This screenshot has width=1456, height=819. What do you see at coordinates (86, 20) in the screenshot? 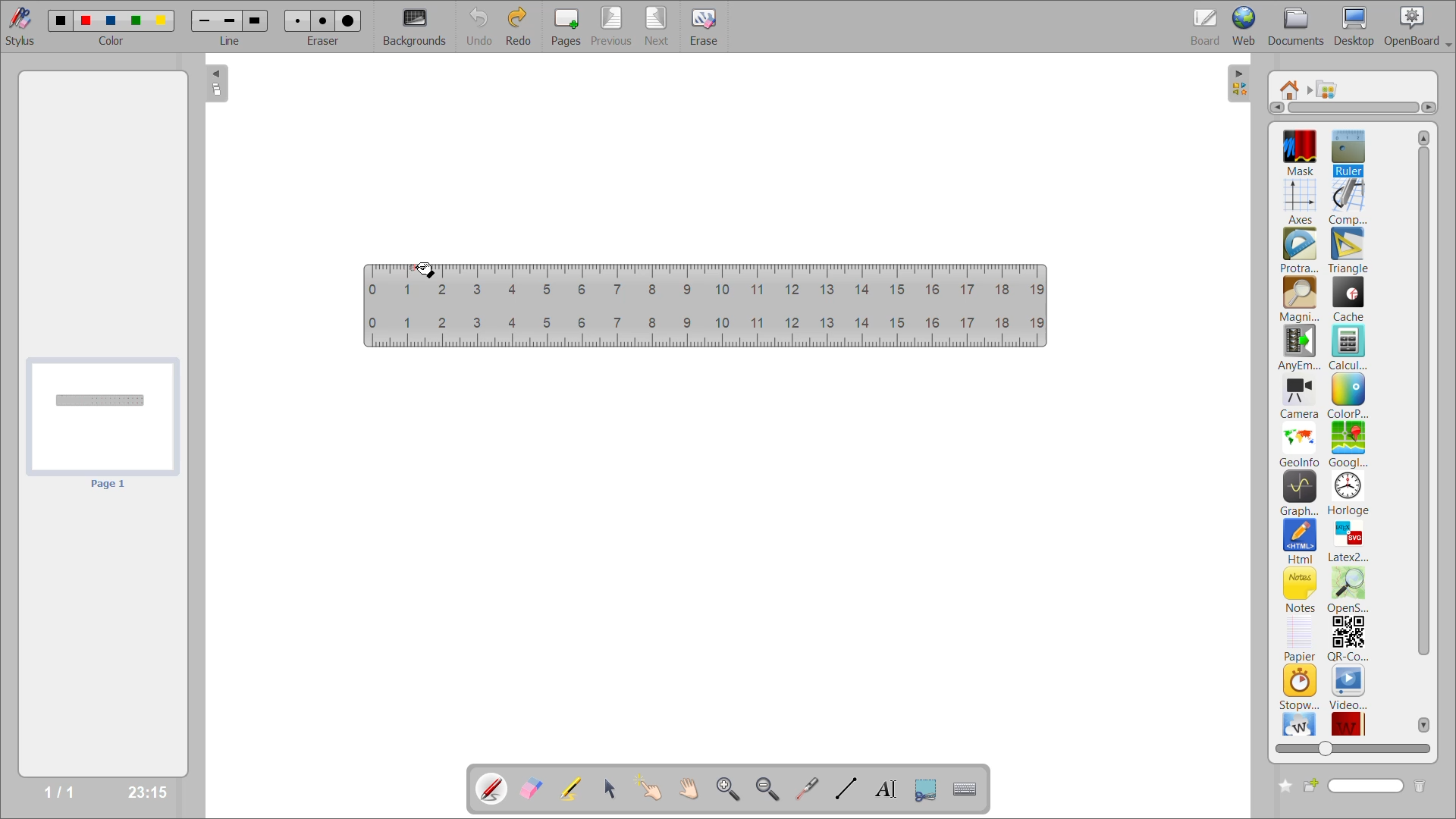
I see `color 2` at bounding box center [86, 20].